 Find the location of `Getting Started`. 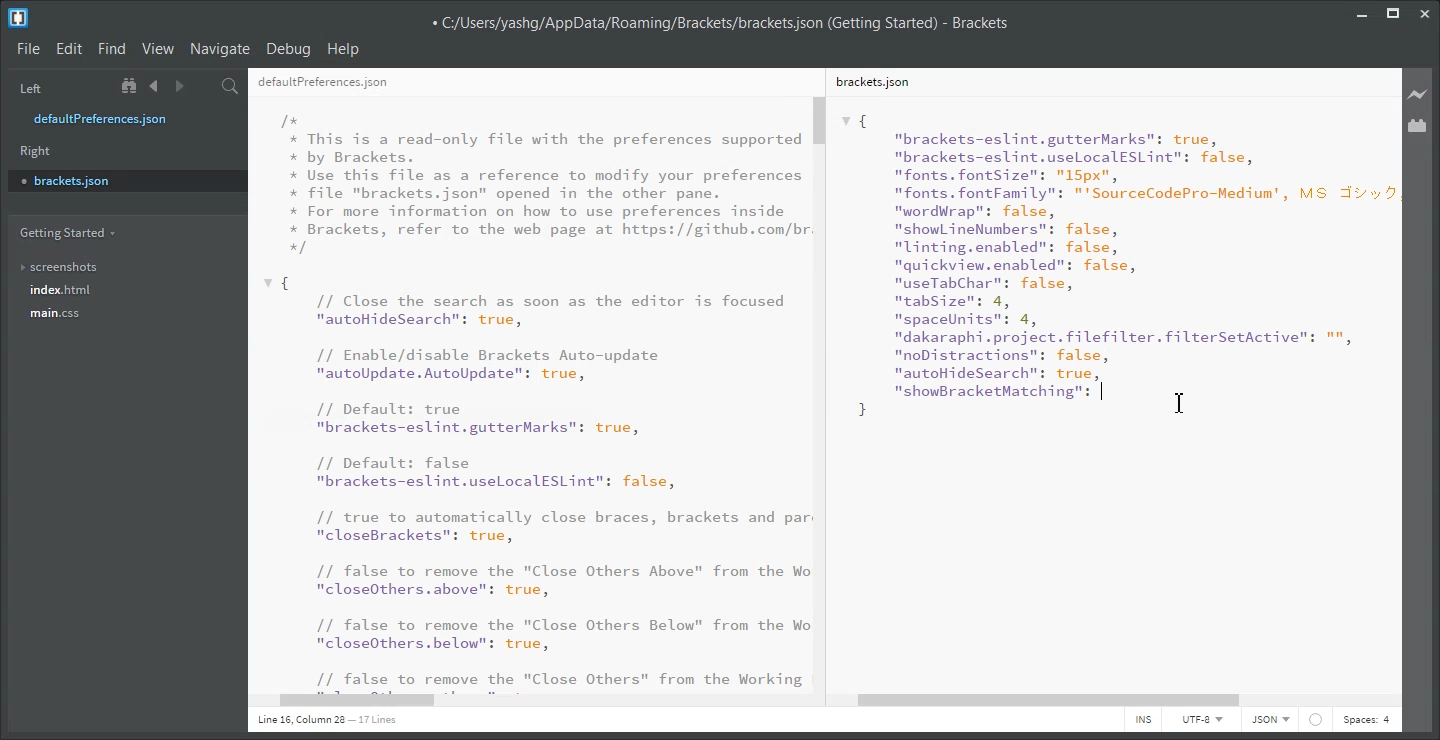

Getting Started is located at coordinates (66, 233).